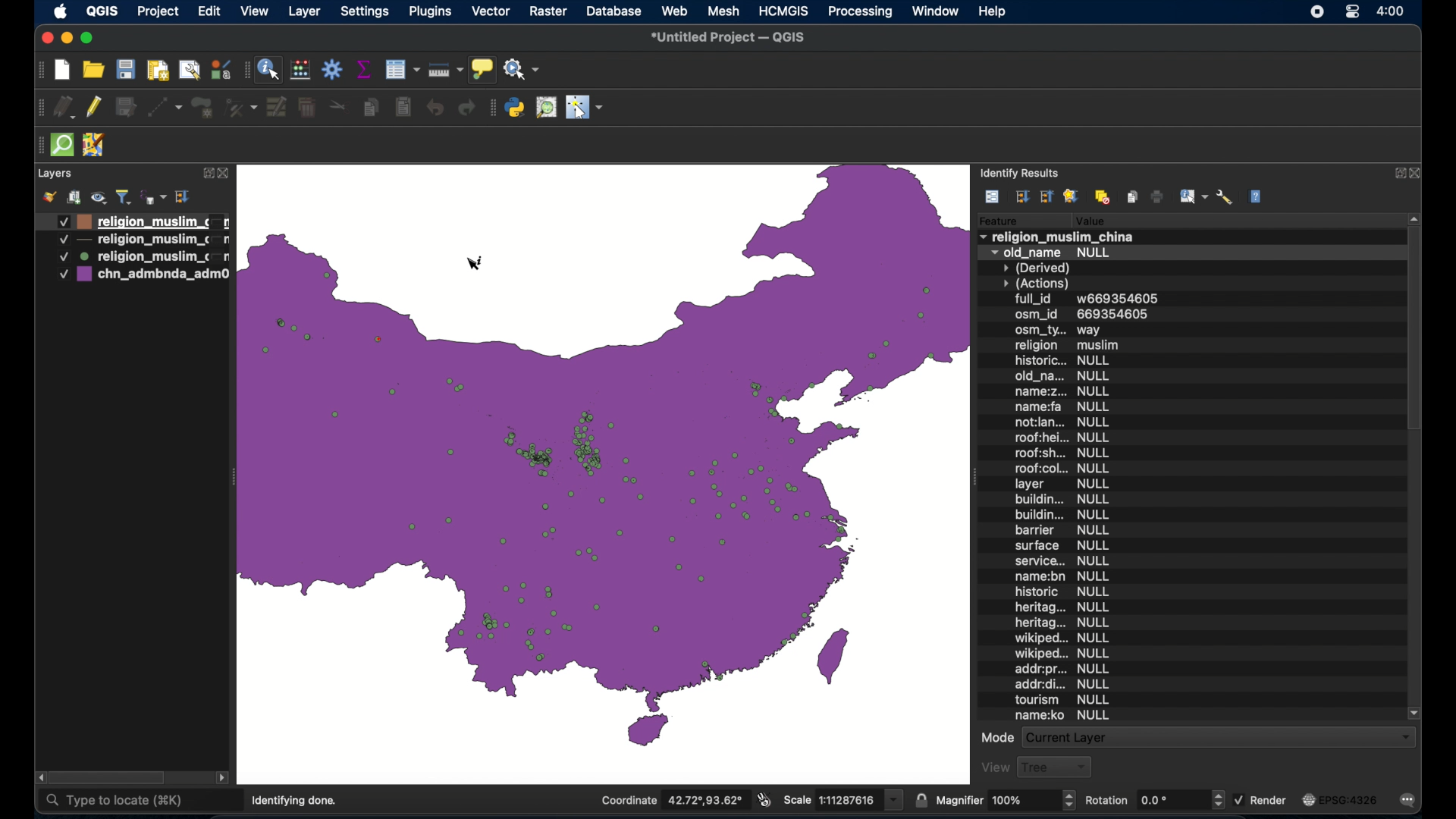  What do you see at coordinates (523, 69) in the screenshot?
I see `no action selected` at bounding box center [523, 69].